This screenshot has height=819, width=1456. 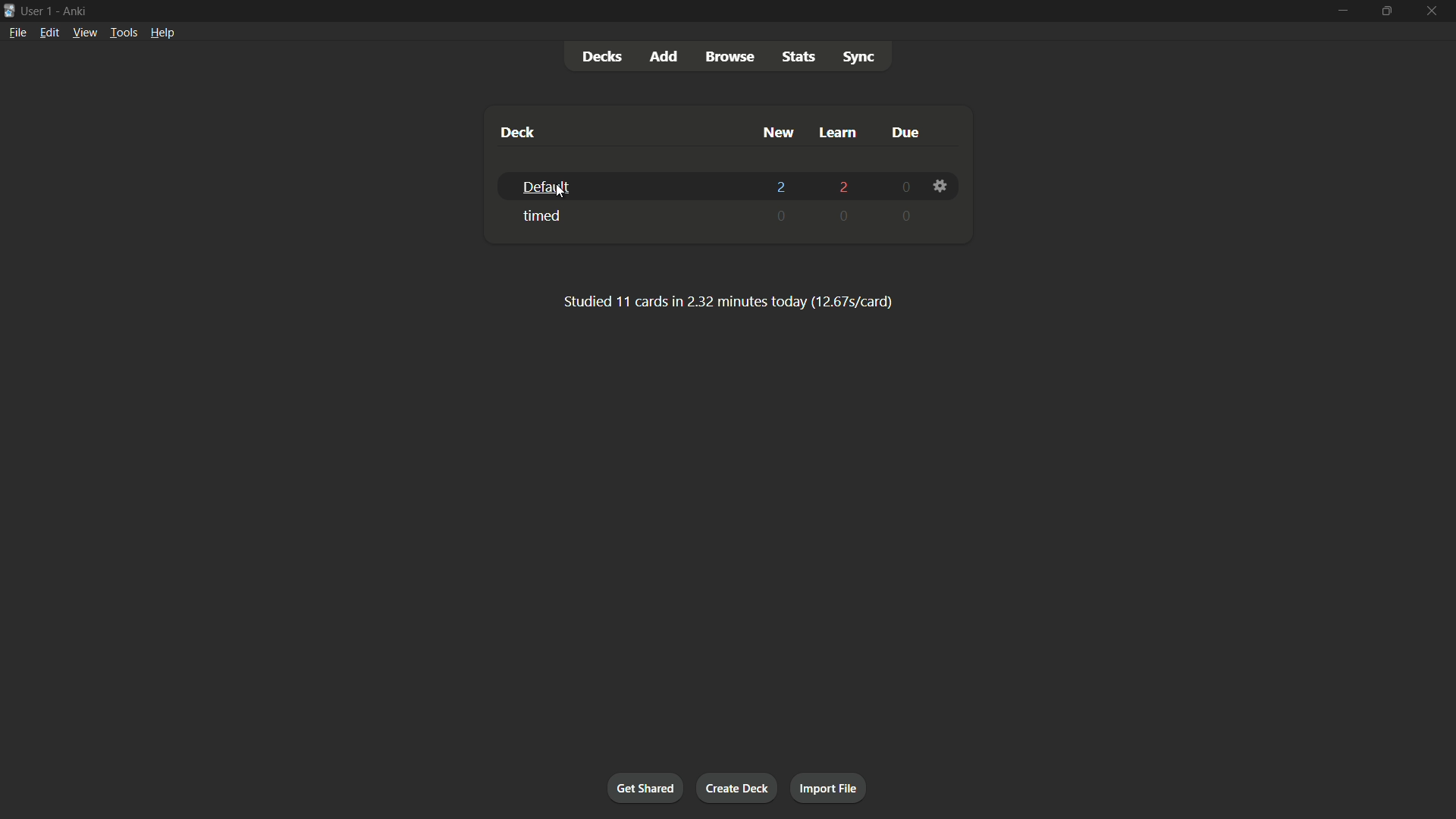 What do you see at coordinates (74, 12) in the screenshot?
I see `app name` at bounding box center [74, 12].